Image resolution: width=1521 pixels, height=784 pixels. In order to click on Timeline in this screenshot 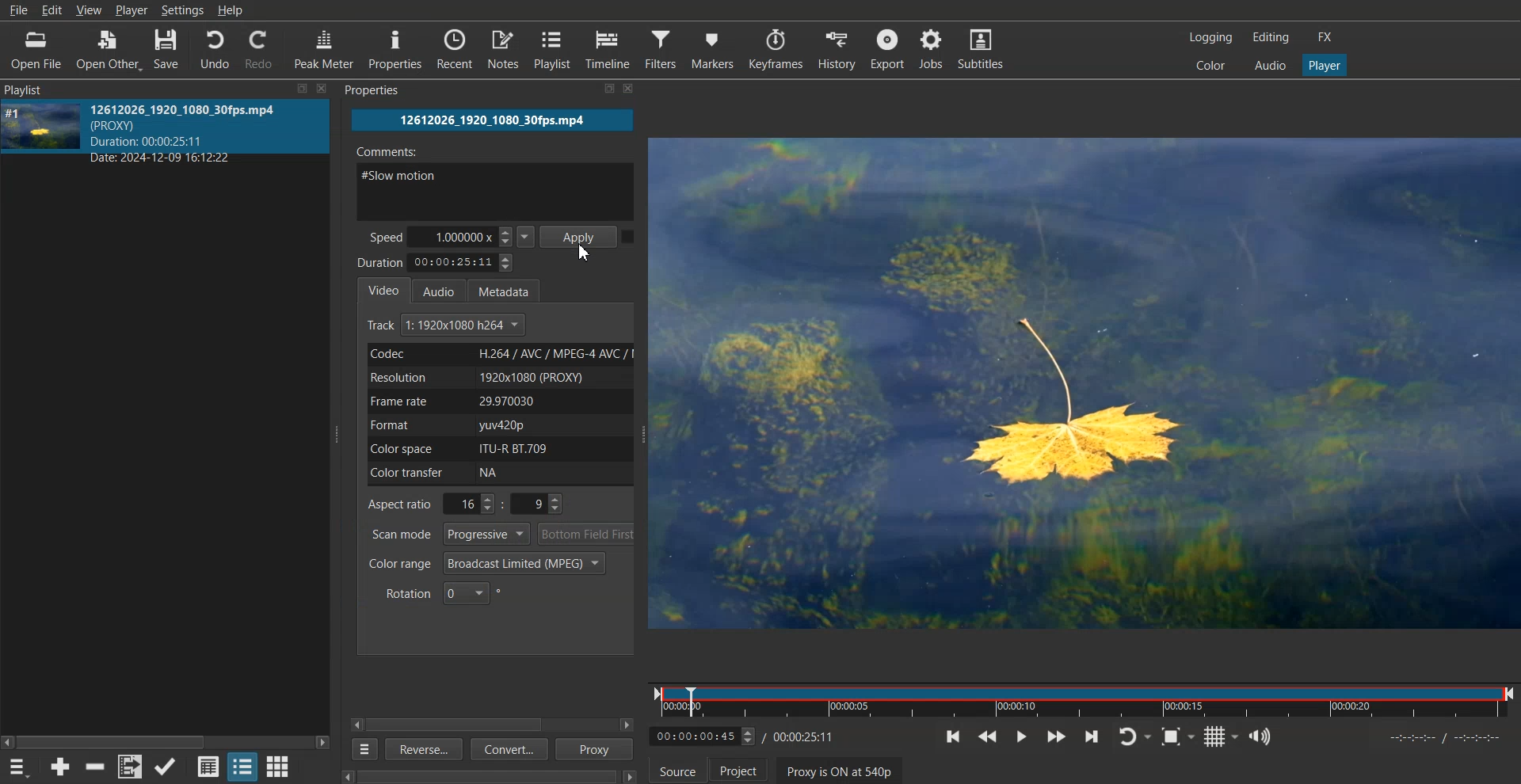, I will do `click(609, 49)`.